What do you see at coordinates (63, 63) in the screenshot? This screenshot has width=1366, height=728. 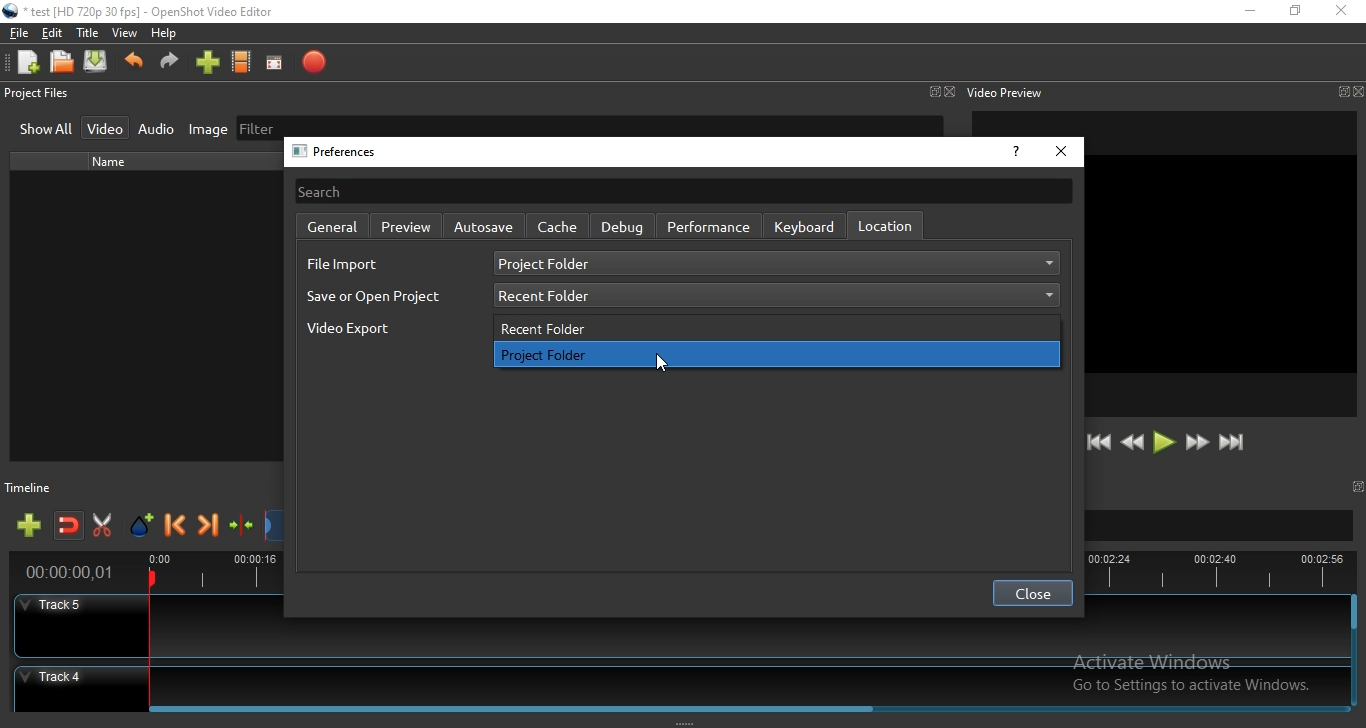 I see `Open project` at bounding box center [63, 63].